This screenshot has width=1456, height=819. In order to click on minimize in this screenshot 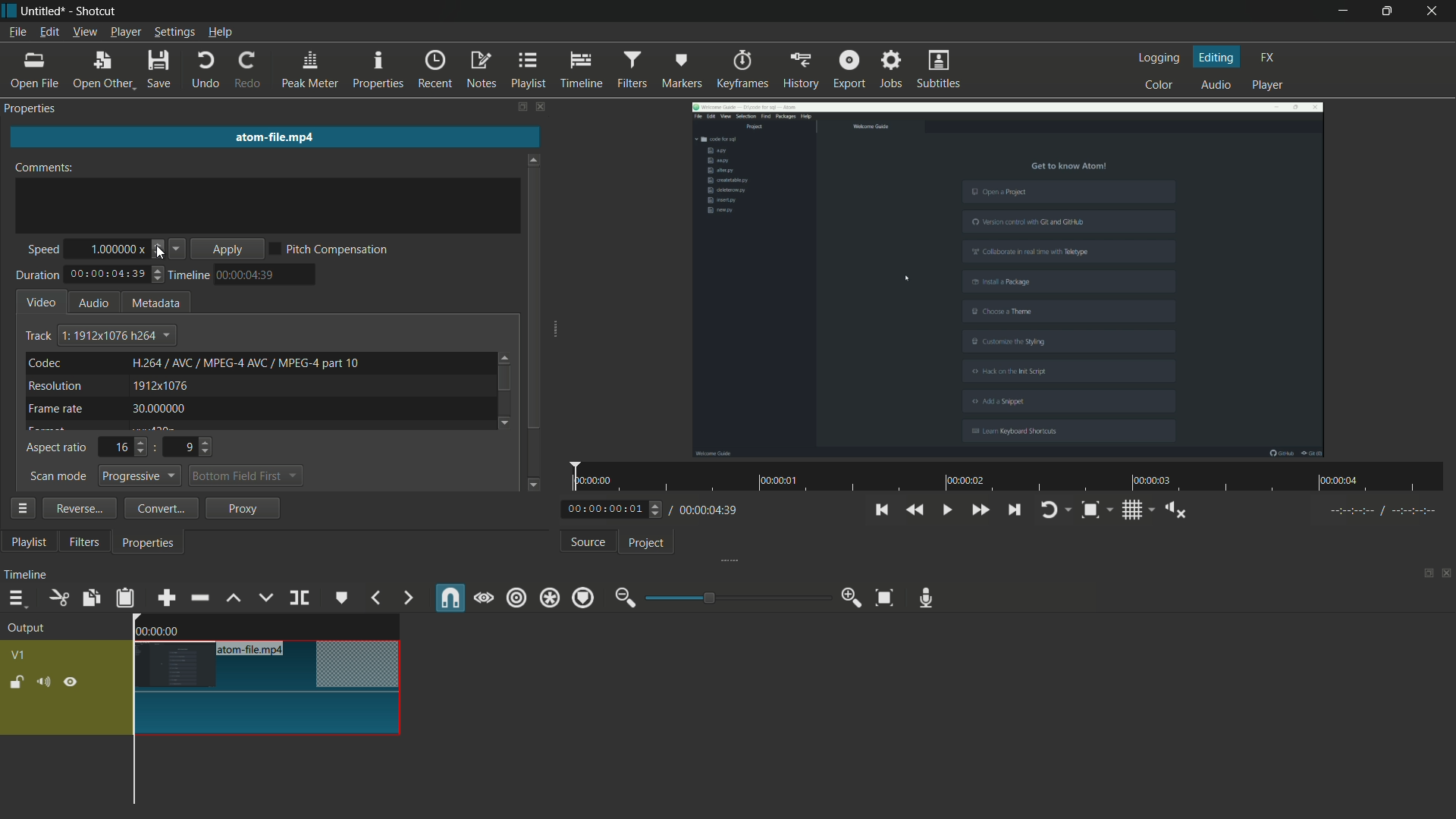, I will do `click(1341, 11)`.